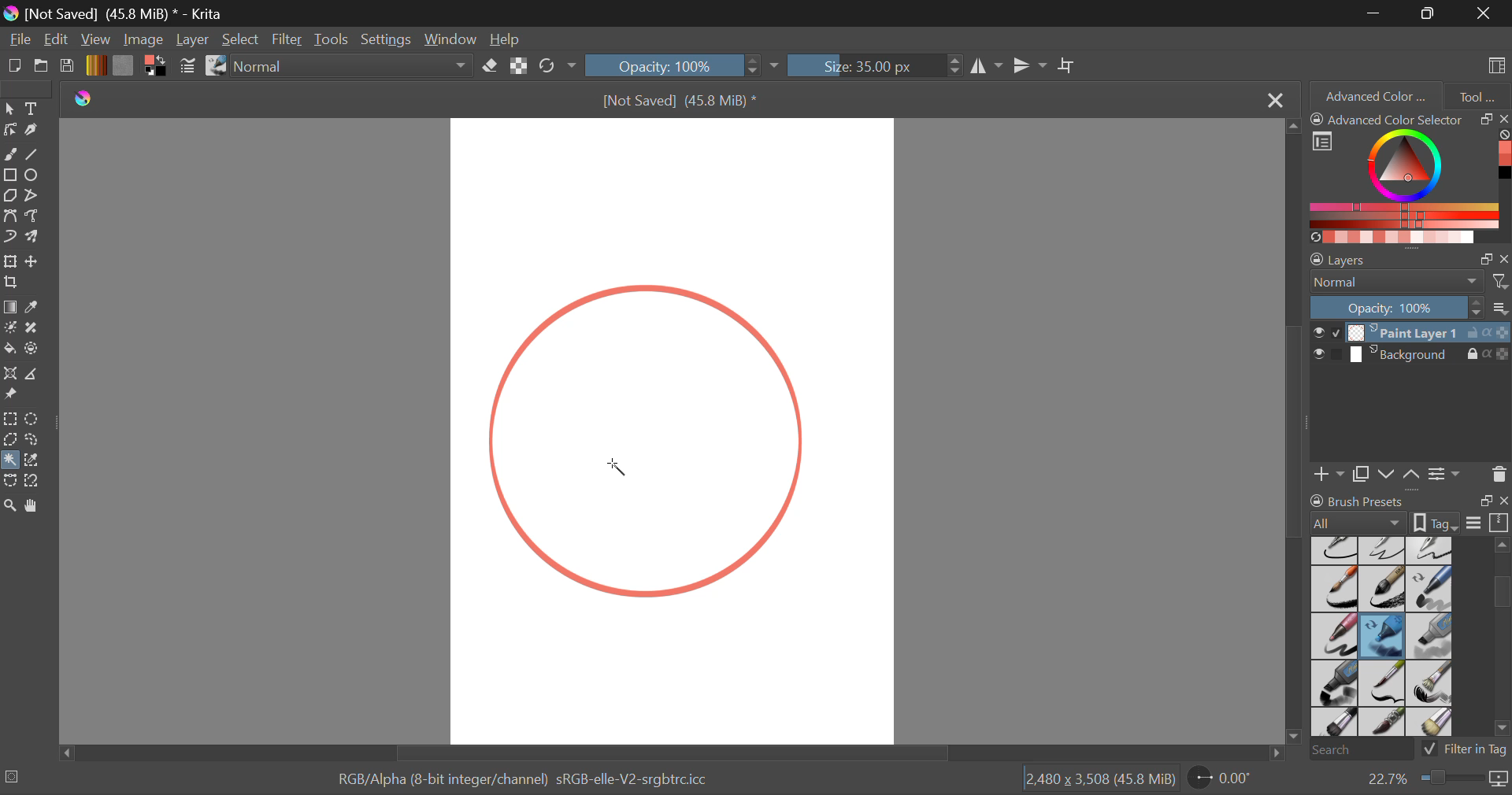 The height and width of the screenshot is (795, 1512). Describe the element at coordinates (32, 419) in the screenshot. I see `Elliptical Selection Tool` at that location.